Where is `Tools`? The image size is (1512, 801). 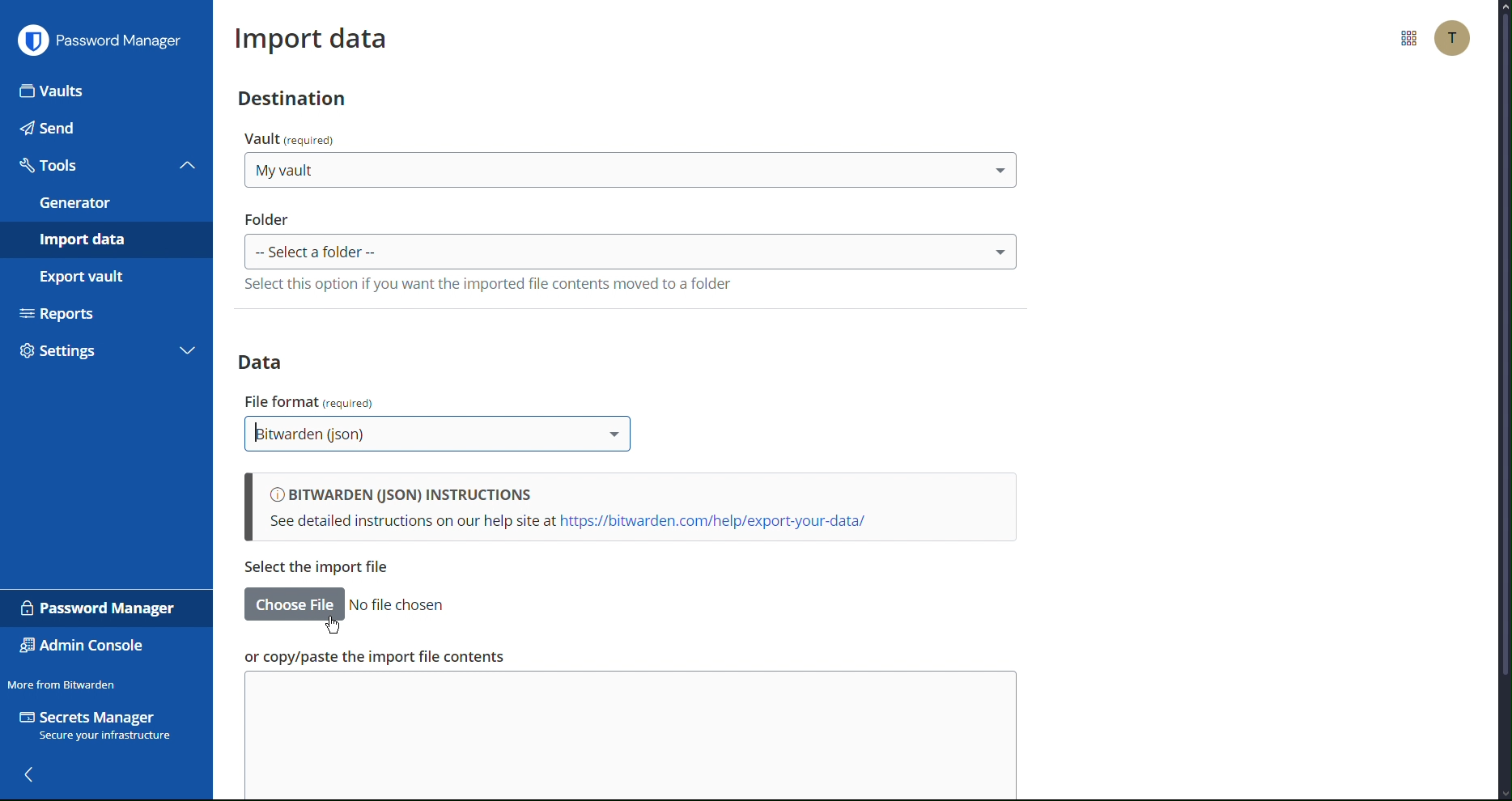 Tools is located at coordinates (86, 165).